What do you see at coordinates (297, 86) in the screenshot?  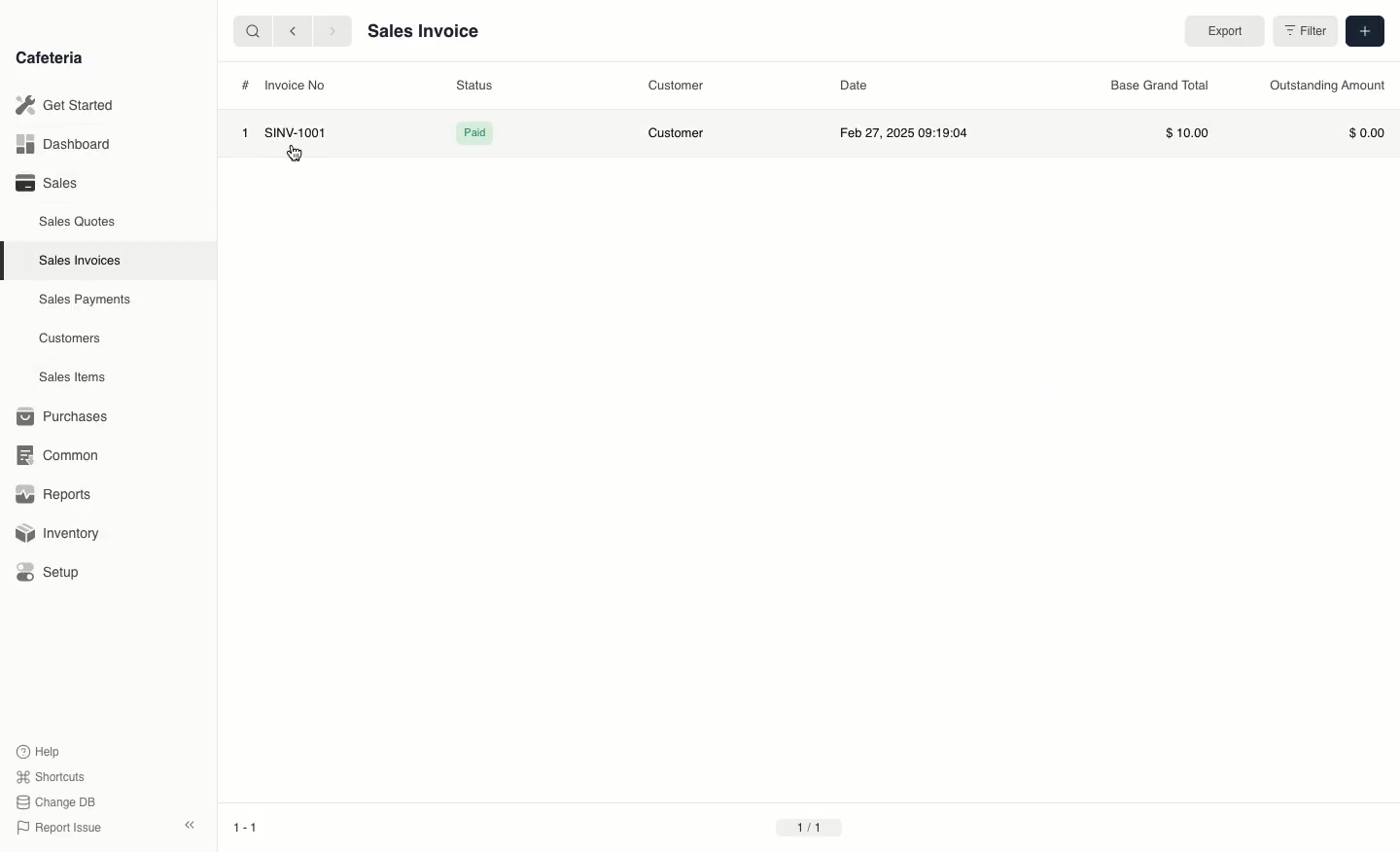 I see `Invoice No` at bounding box center [297, 86].